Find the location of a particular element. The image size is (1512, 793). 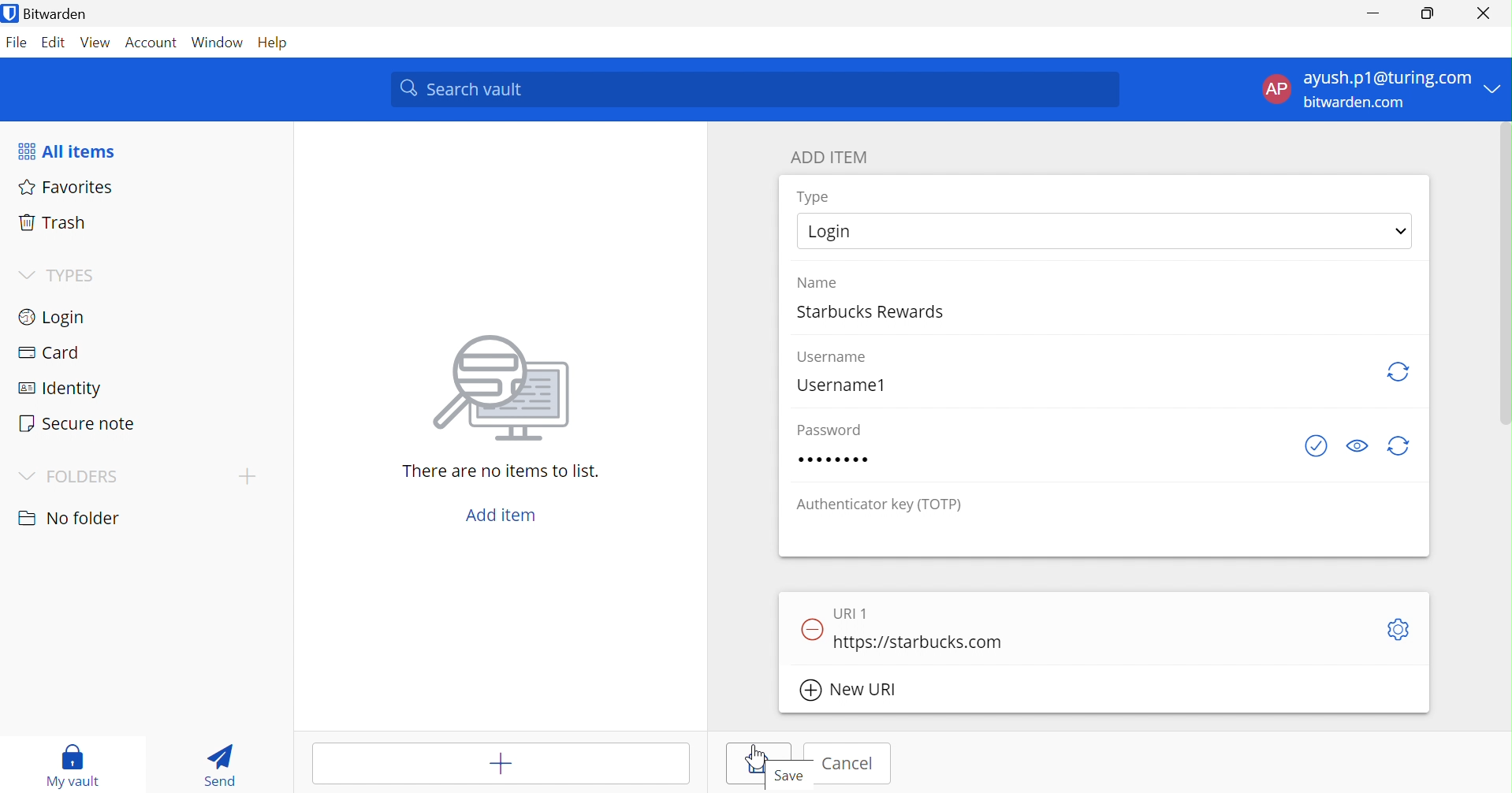

TYPES is located at coordinates (76, 275).